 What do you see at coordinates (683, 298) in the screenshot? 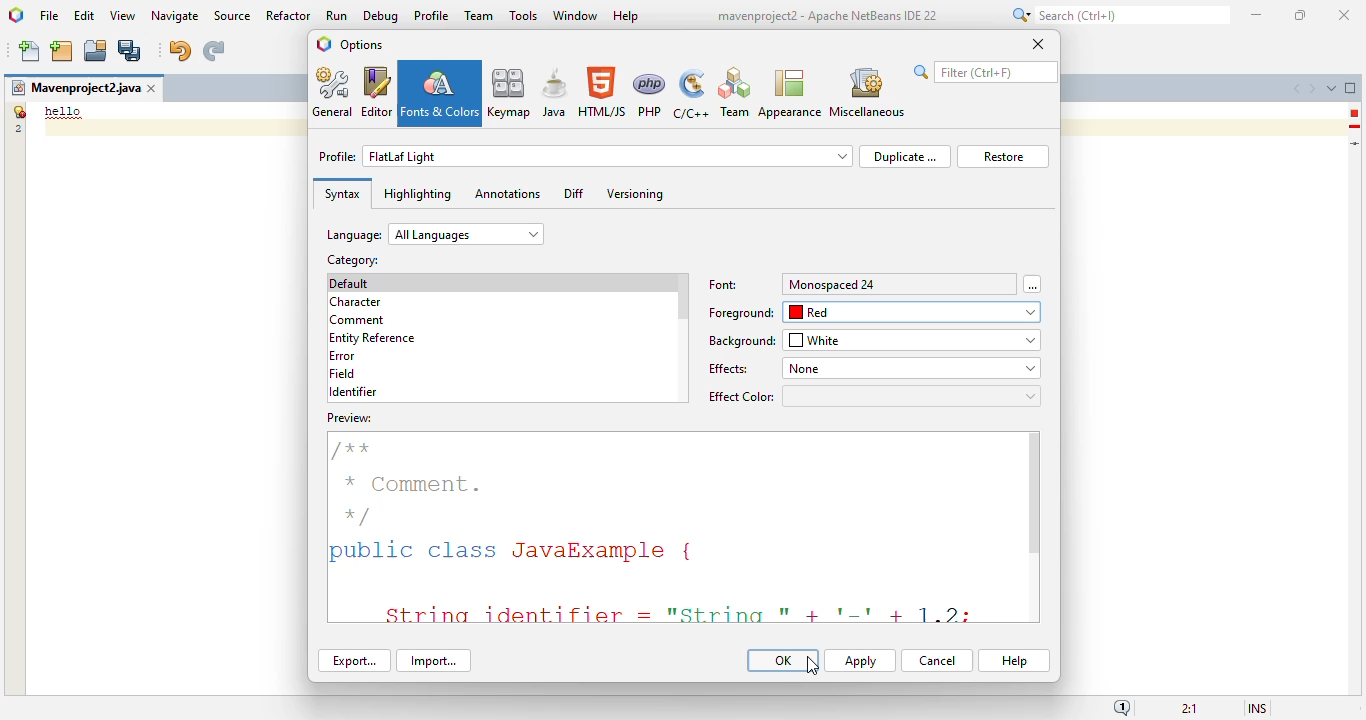
I see `vertical scroll bar` at bounding box center [683, 298].